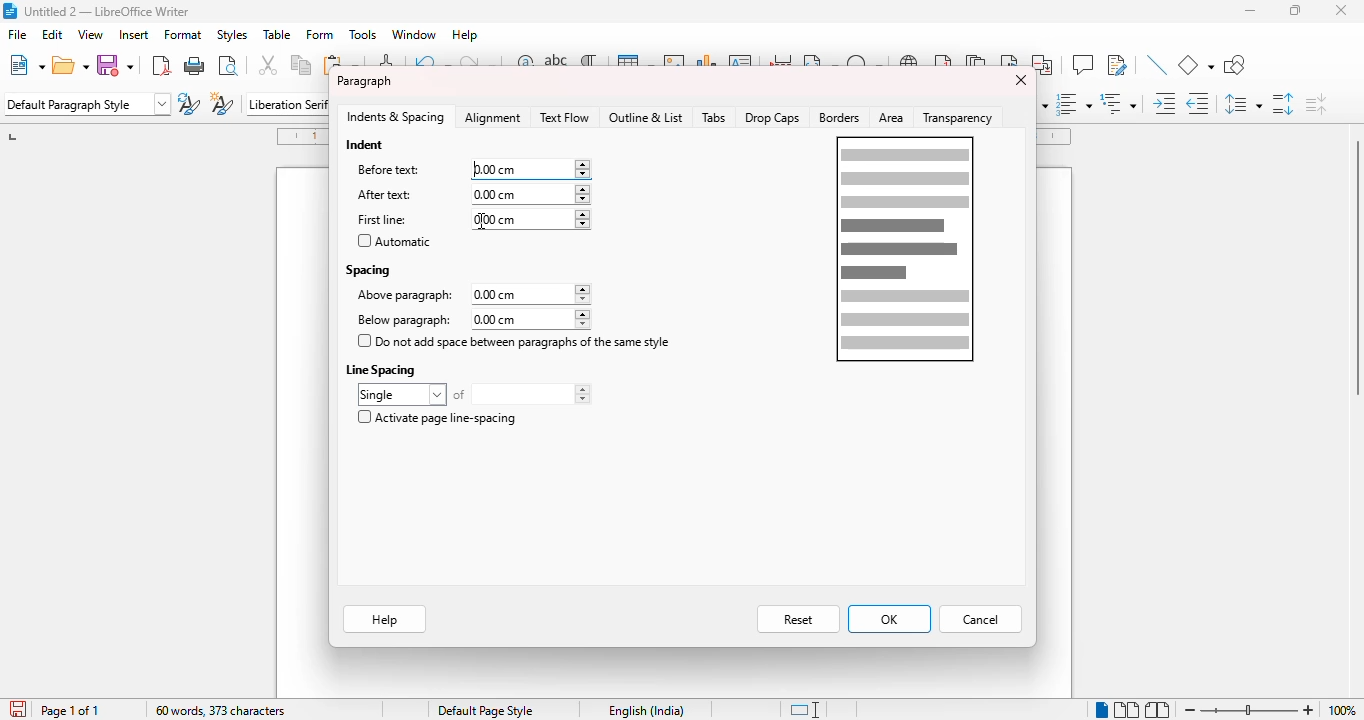 Image resolution: width=1364 pixels, height=720 pixels. What do you see at coordinates (1296, 10) in the screenshot?
I see `maximize` at bounding box center [1296, 10].